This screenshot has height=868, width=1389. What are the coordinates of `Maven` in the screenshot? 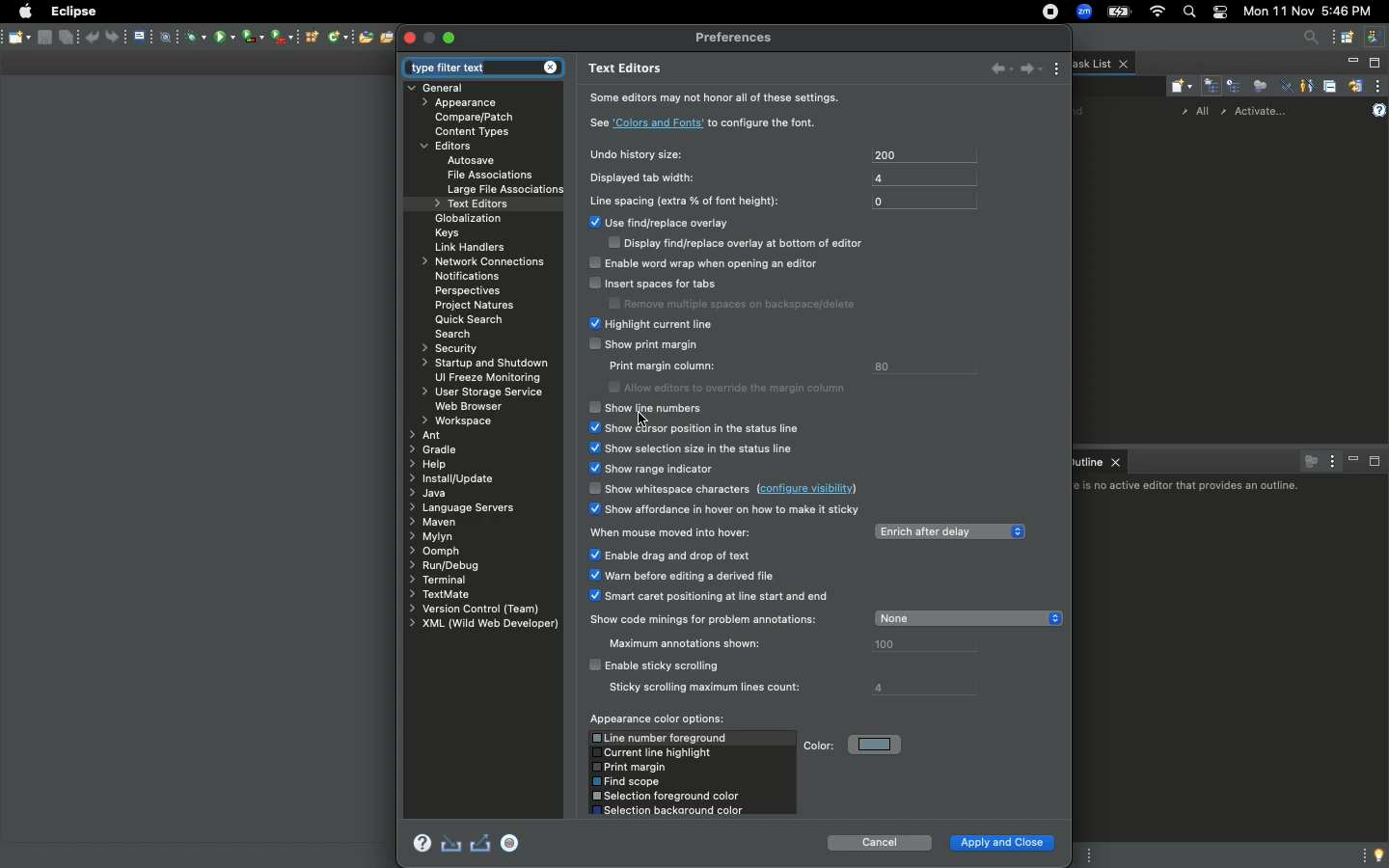 It's located at (433, 521).